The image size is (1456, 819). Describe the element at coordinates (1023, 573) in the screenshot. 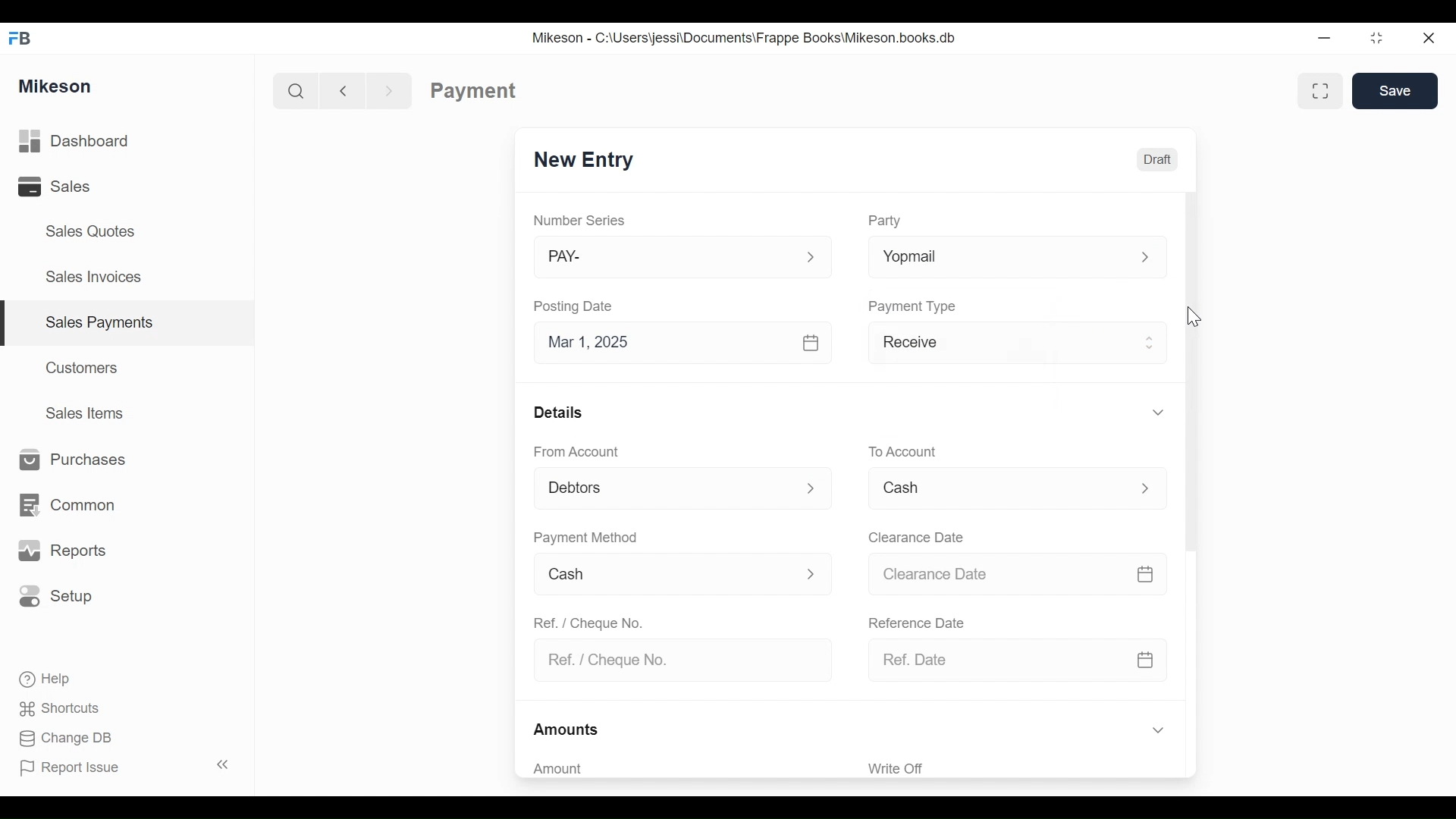

I see `Clearance date` at that location.